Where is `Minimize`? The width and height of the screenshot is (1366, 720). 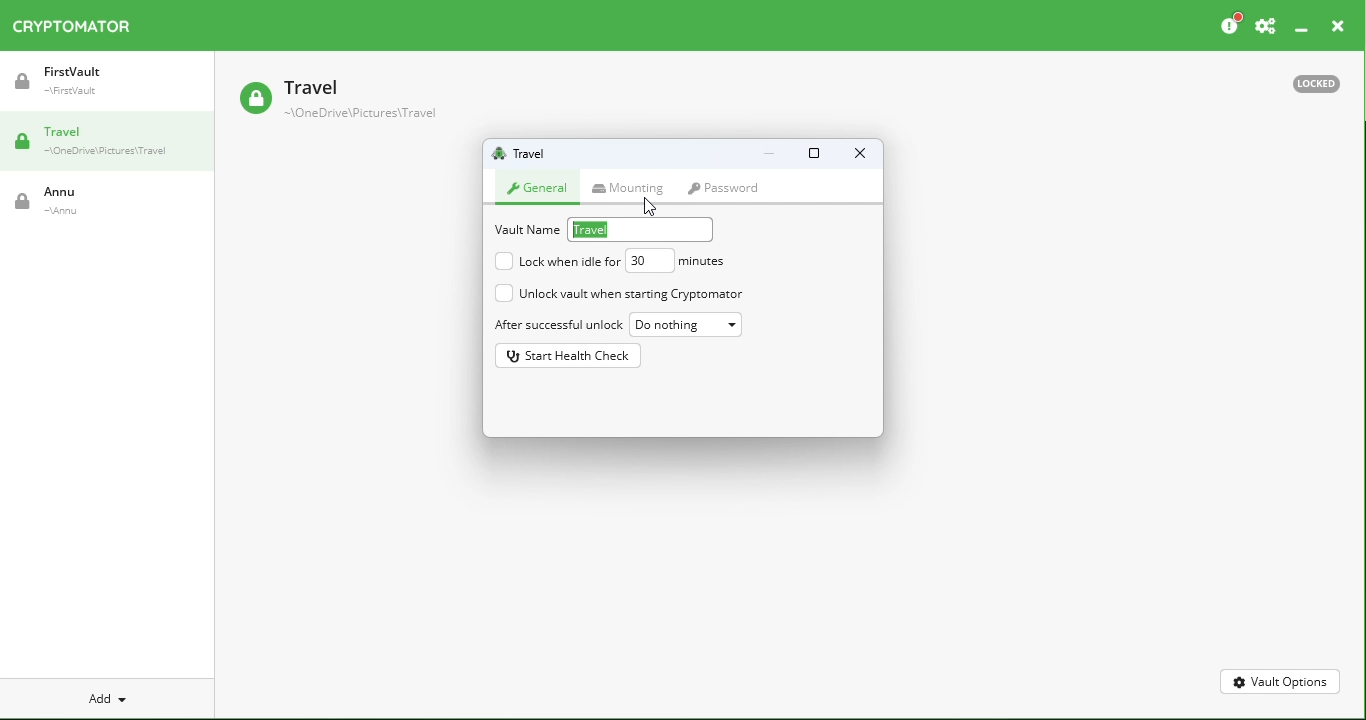 Minimize is located at coordinates (1300, 24).